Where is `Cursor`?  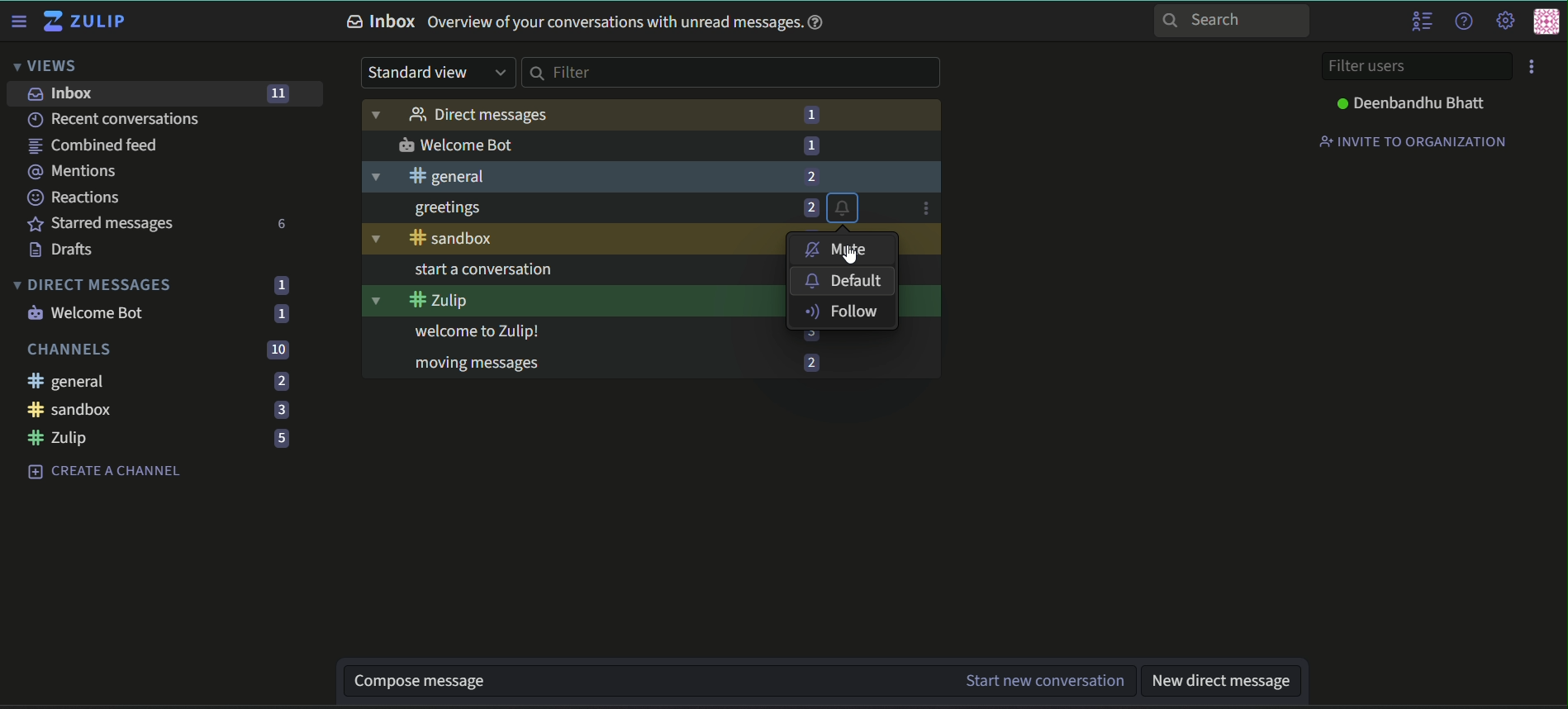 Cursor is located at coordinates (854, 259).